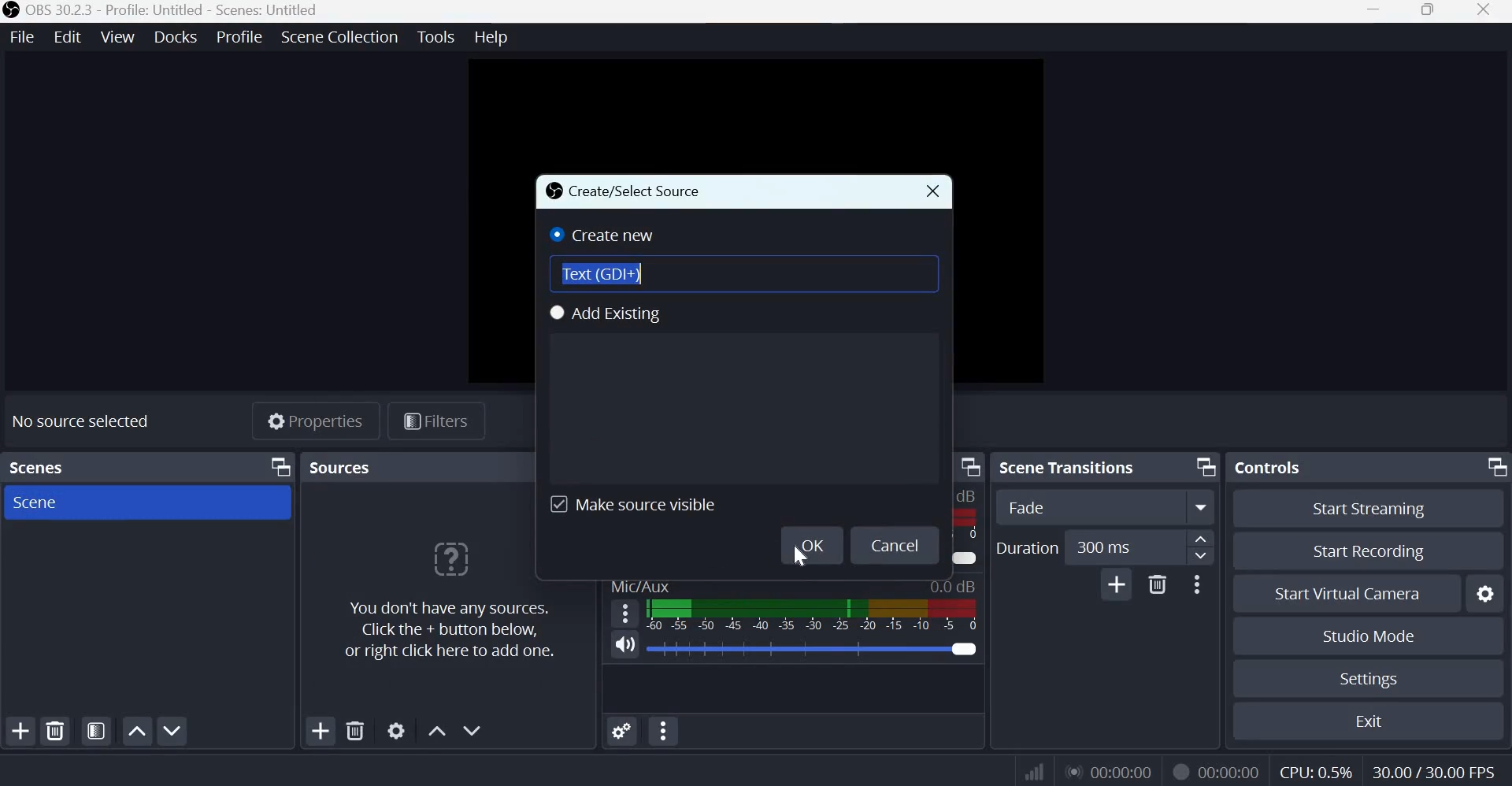 This screenshot has height=786, width=1512. I want to click on View, so click(119, 36).